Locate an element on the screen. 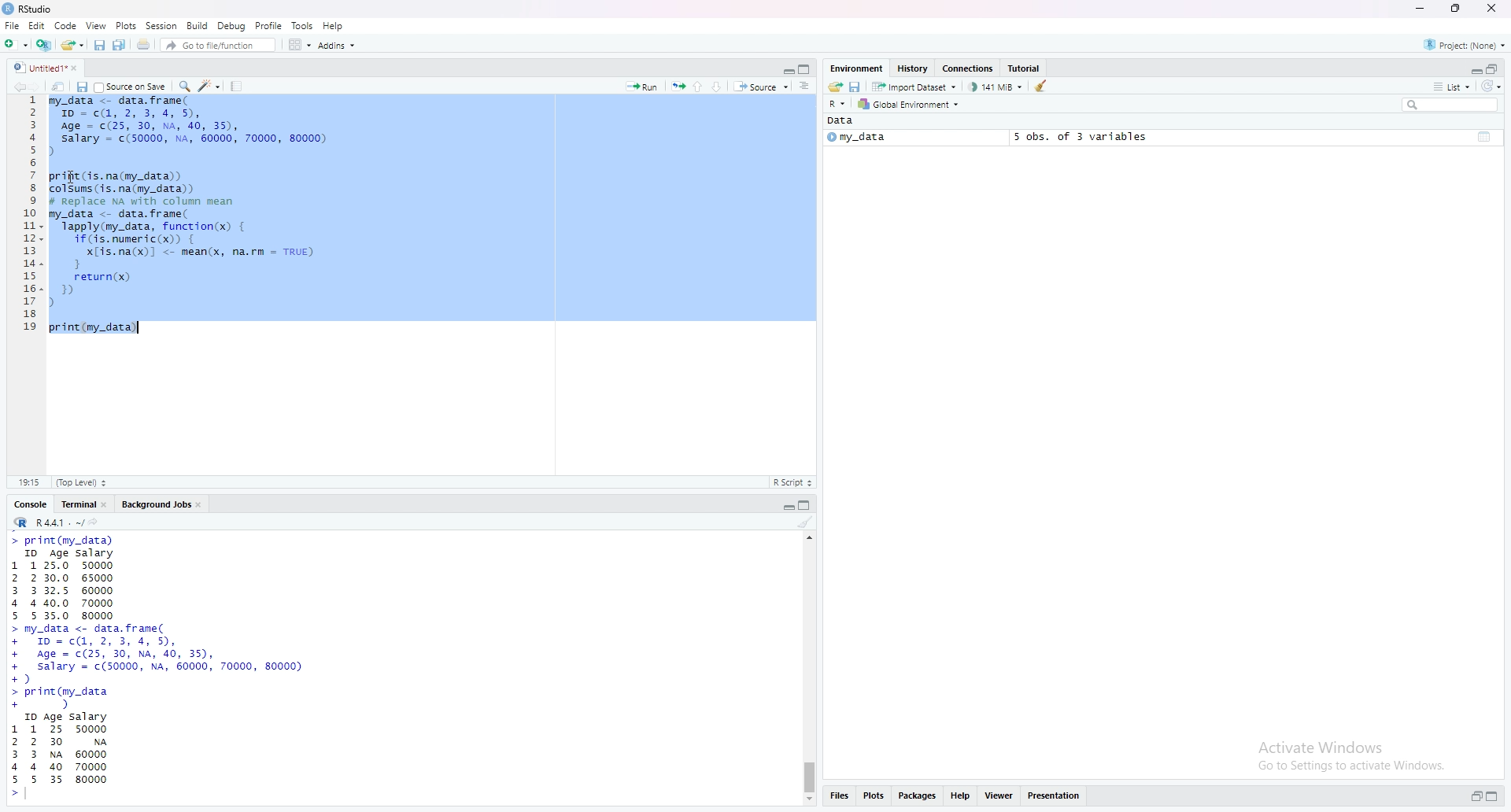 Image resolution: width=1511 pixels, height=812 pixels. save current document is located at coordinates (81, 87).